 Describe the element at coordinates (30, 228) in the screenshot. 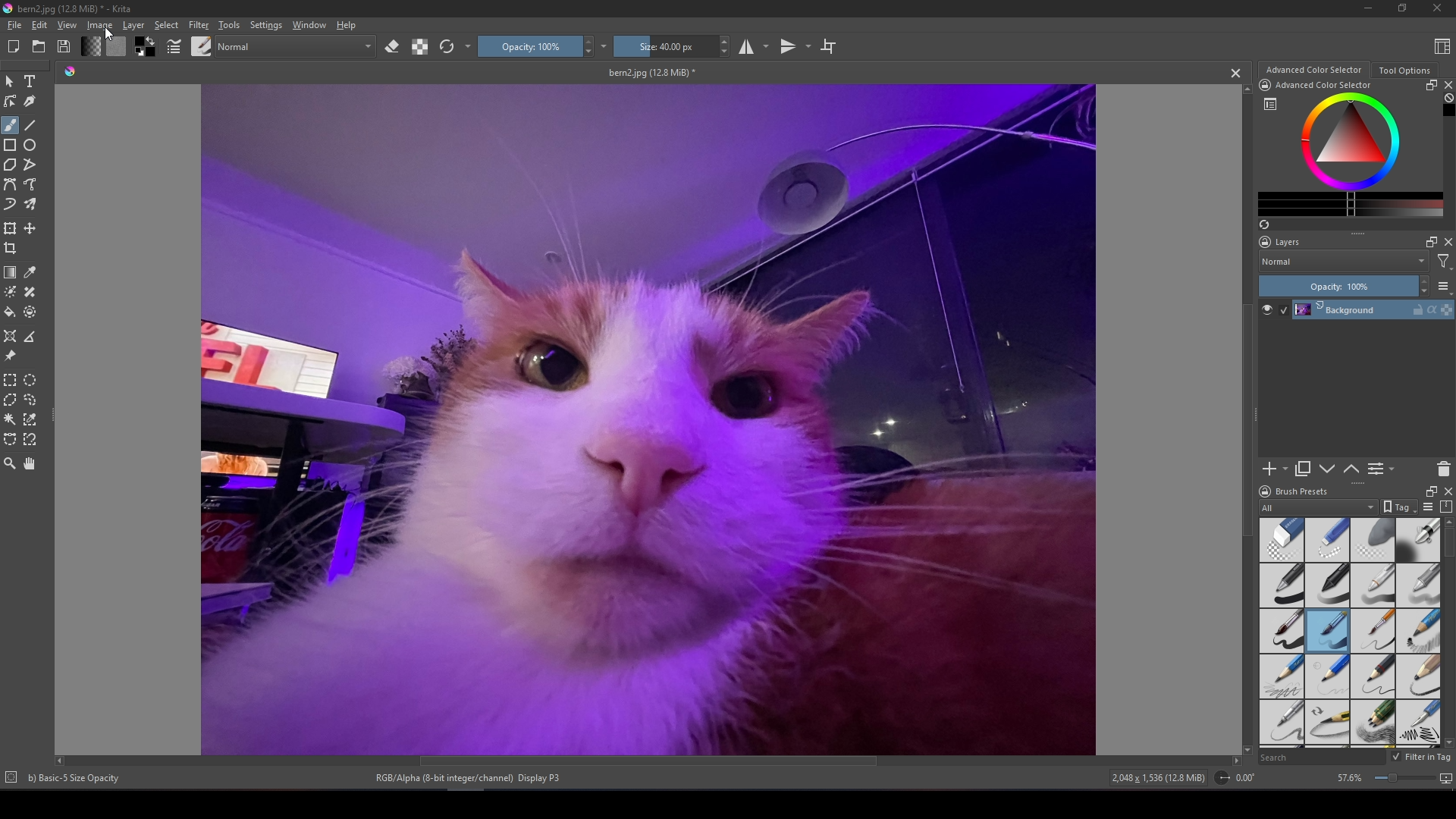

I see `Move a layer` at that location.